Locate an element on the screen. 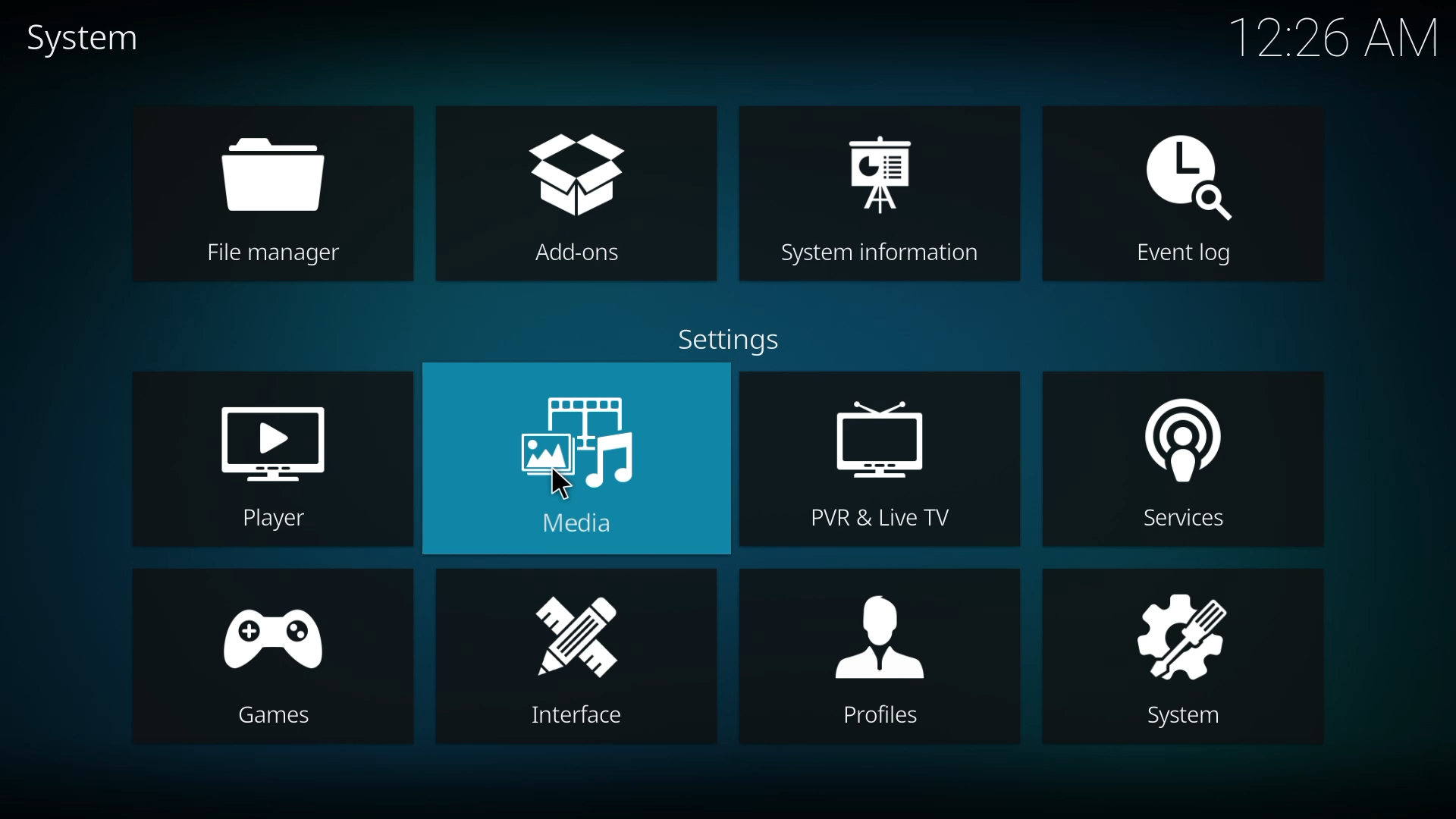 Image resolution: width=1456 pixels, height=819 pixels. system is located at coordinates (1181, 657).